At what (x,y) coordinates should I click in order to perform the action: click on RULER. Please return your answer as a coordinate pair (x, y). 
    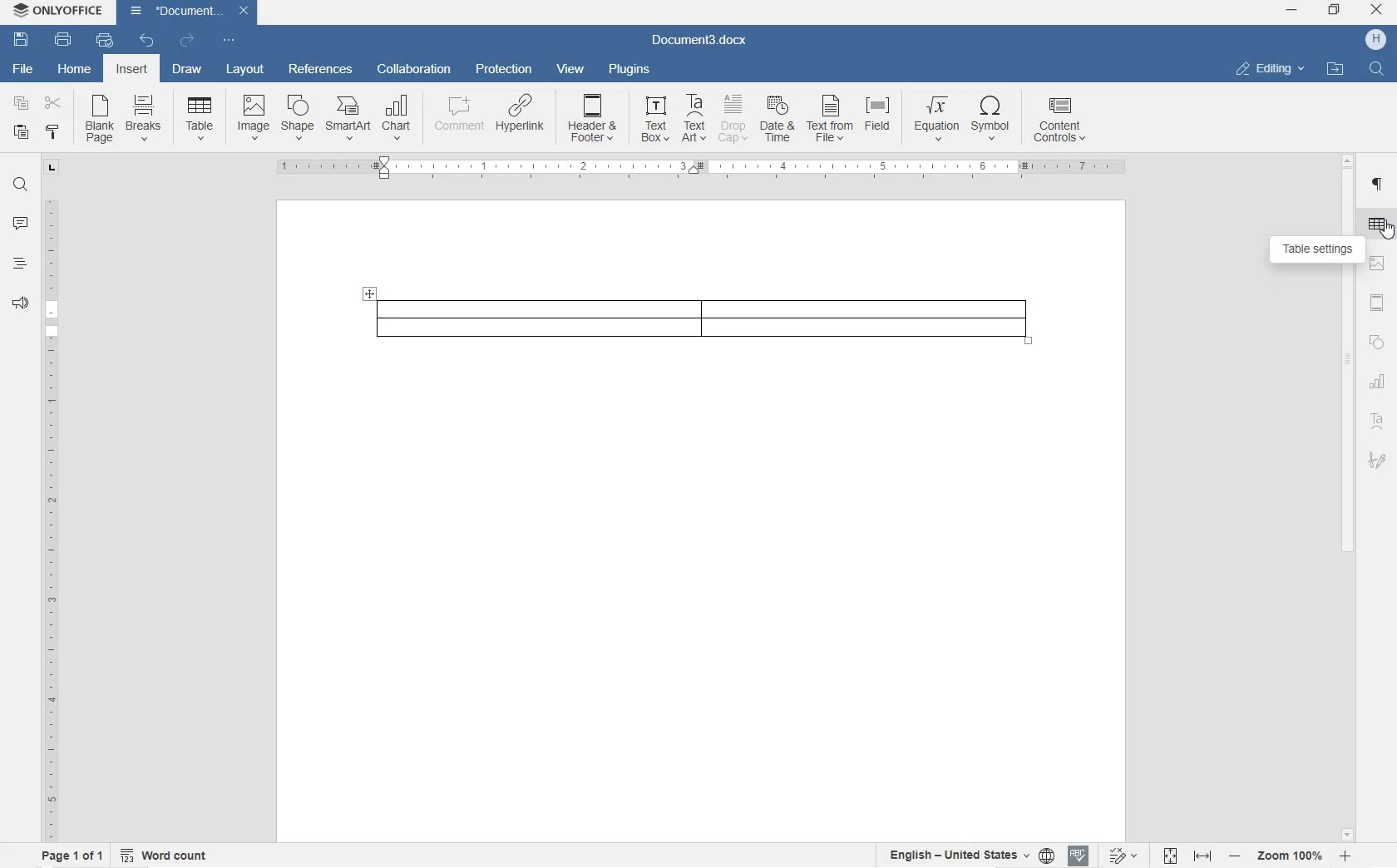
    Looking at the image, I should click on (49, 516).